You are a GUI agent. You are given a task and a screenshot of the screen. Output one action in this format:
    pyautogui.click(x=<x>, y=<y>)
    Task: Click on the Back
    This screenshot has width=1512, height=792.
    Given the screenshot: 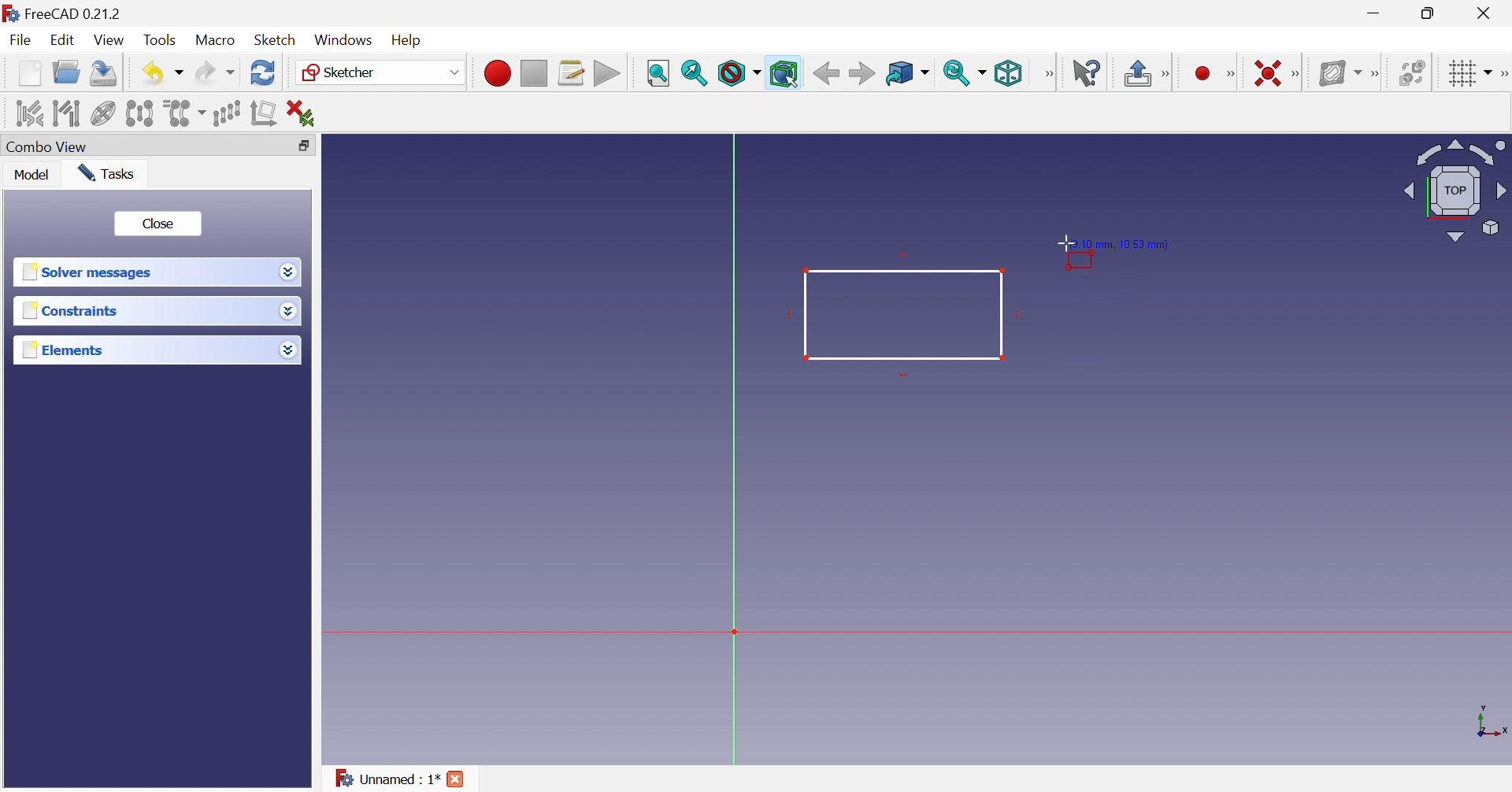 What is the action you would take?
    pyautogui.click(x=826, y=74)
    